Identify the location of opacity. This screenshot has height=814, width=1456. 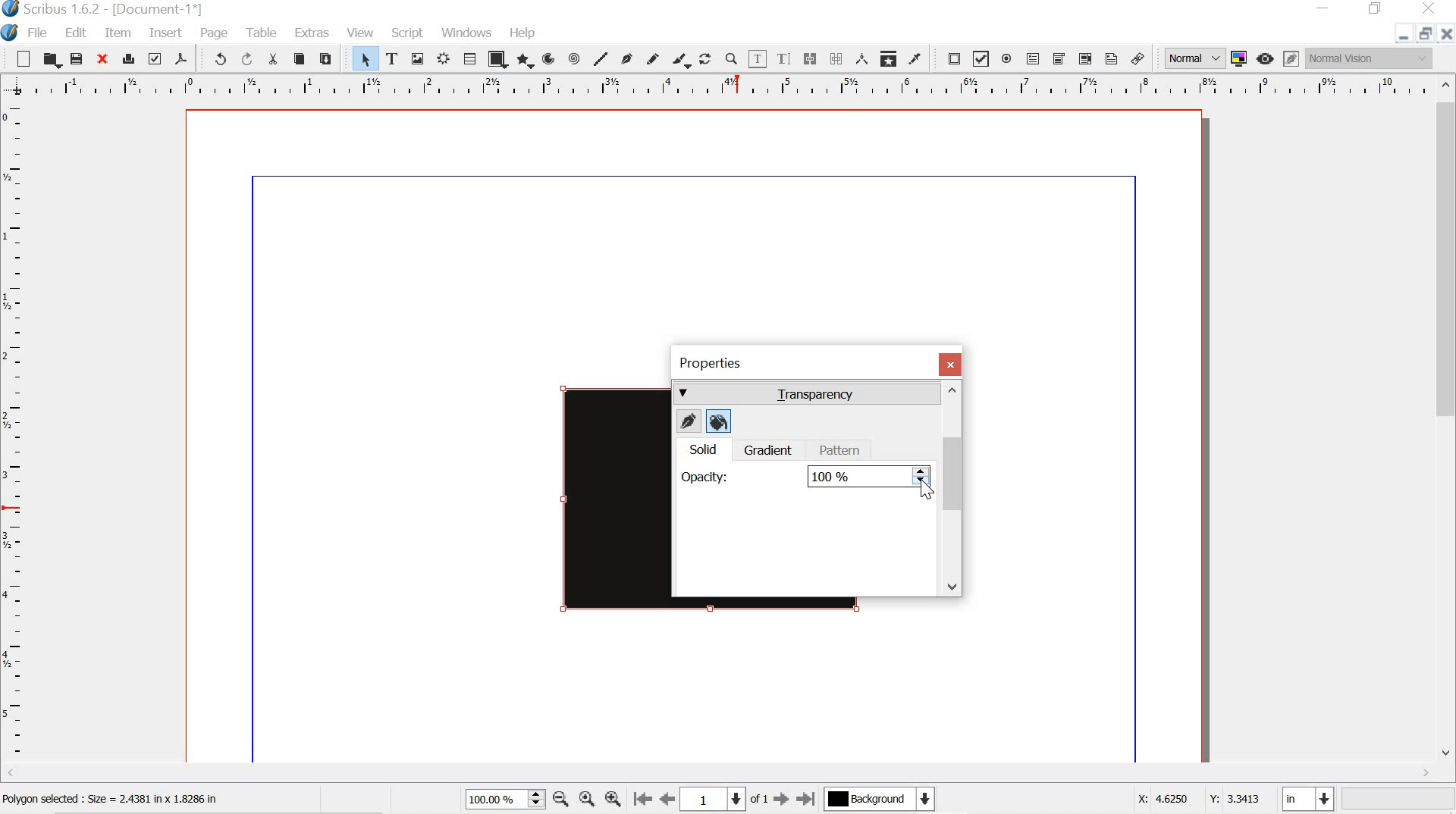
(703, 478).